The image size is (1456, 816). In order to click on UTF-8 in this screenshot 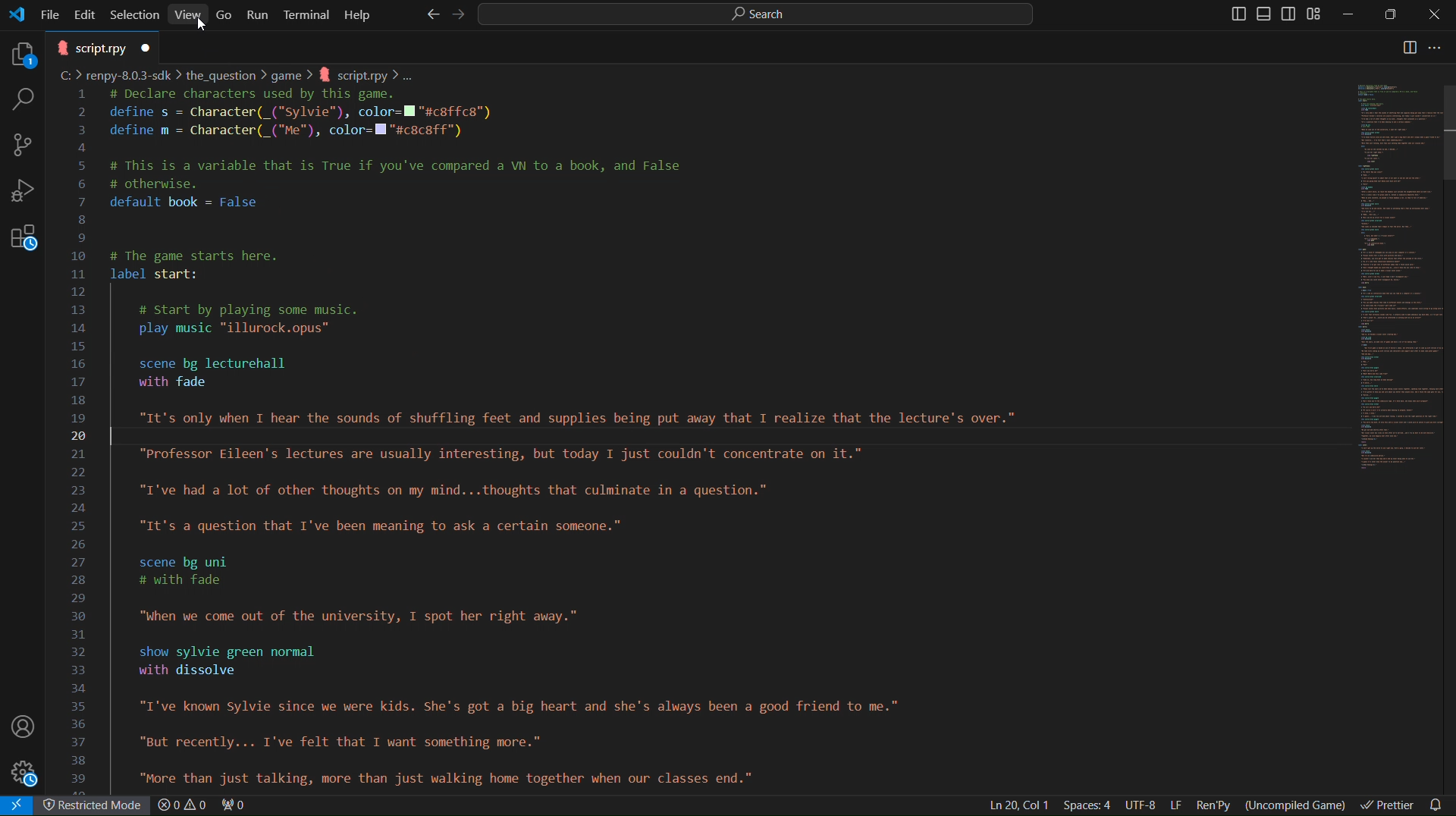, I will do `click(1141, 805)`.